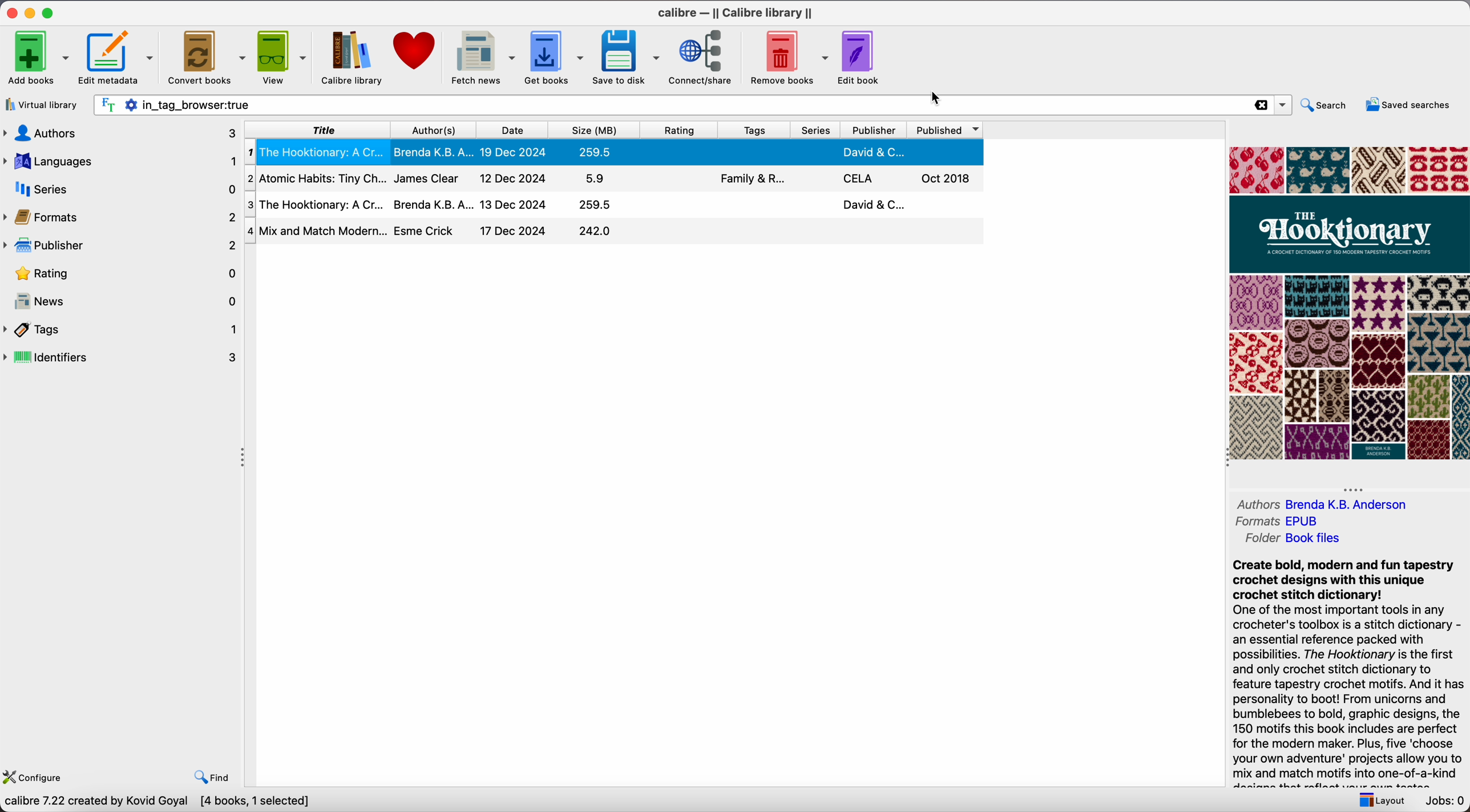  What do you see at coordinates (949, 130) in the screenshot?
I see `published` at bounding box center [949, 130].